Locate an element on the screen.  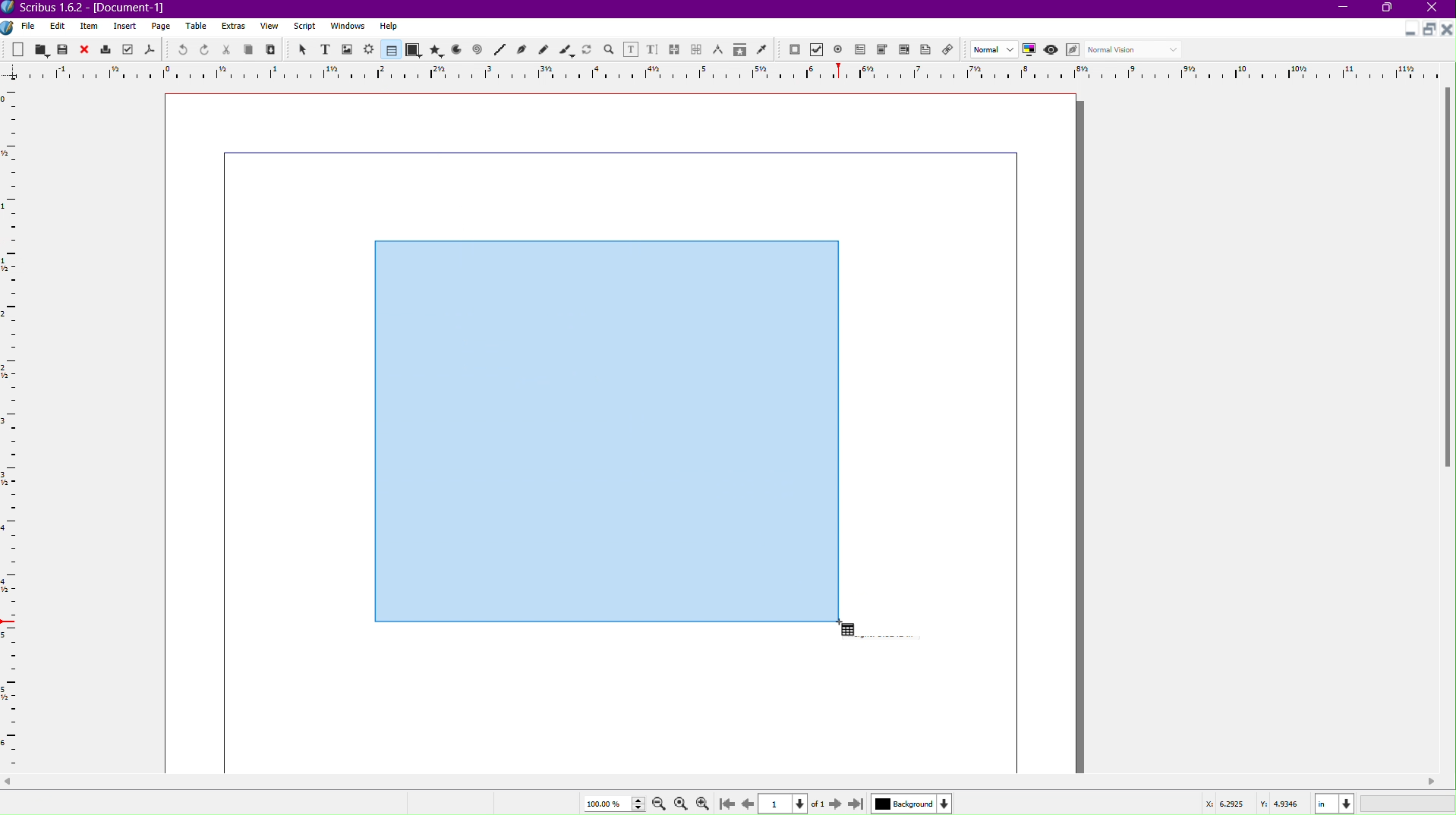
PDF Text Field is located at coordinates (863, 52).